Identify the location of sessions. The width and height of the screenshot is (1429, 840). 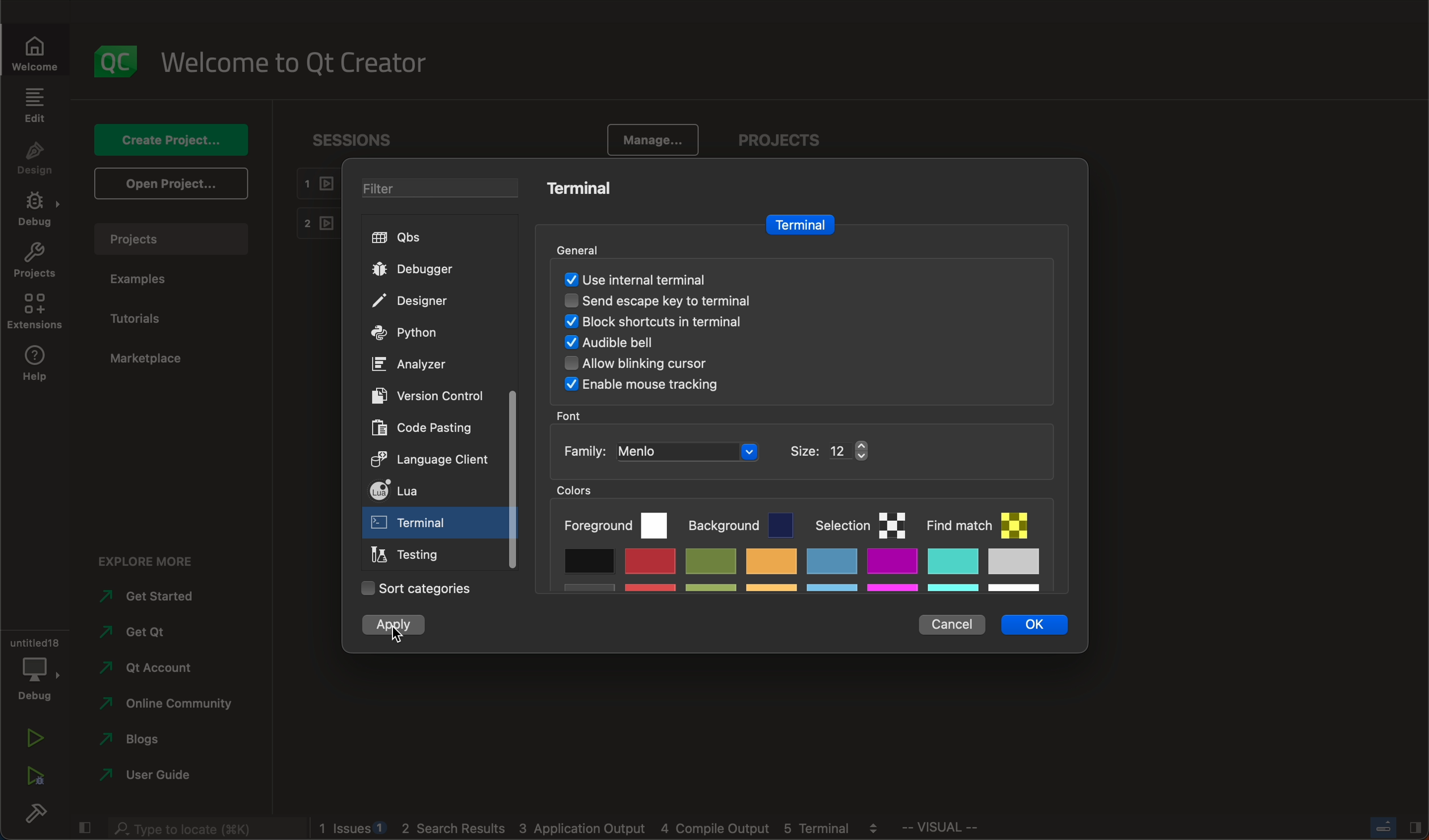
(346, 137).